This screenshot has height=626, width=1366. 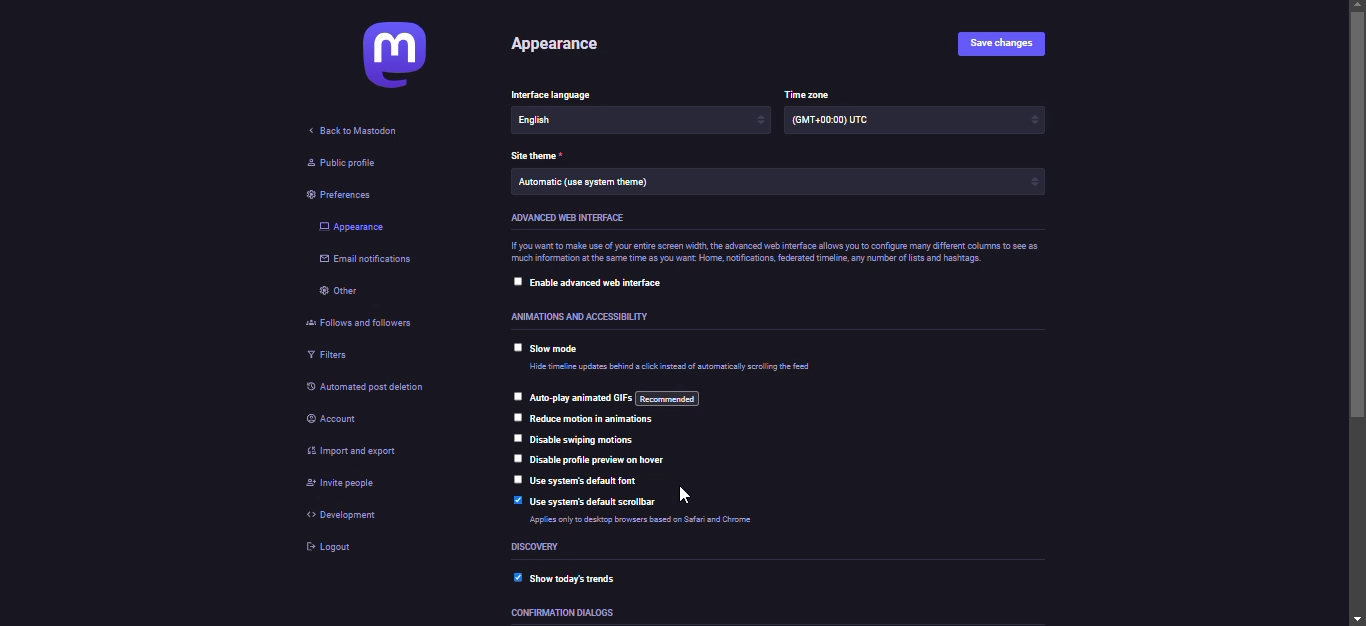 I want to click on email notifications, so click(x=367, y=260).